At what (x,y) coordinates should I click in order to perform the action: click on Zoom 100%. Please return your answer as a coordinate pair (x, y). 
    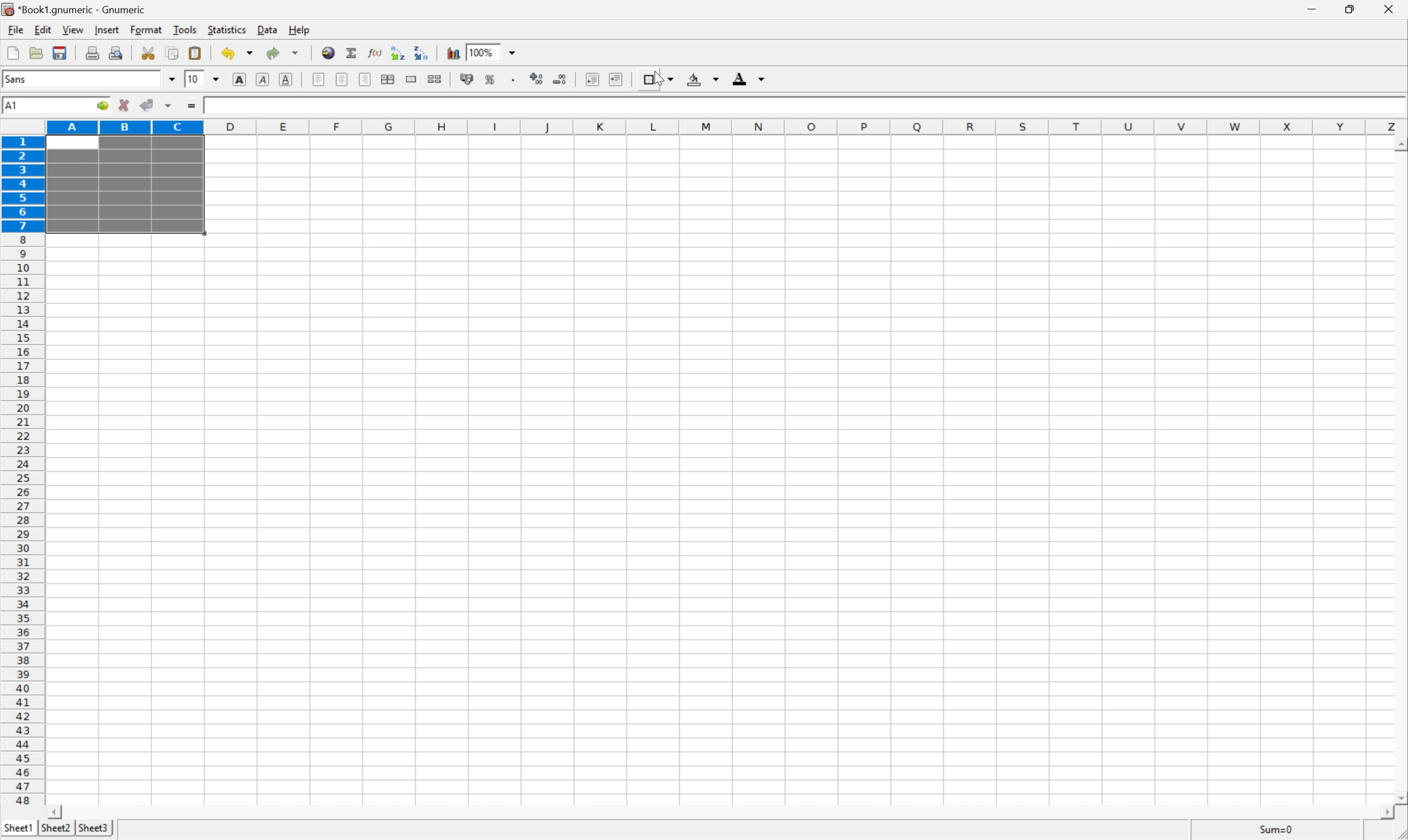
    Looking at the image, I should click on (503, 51).